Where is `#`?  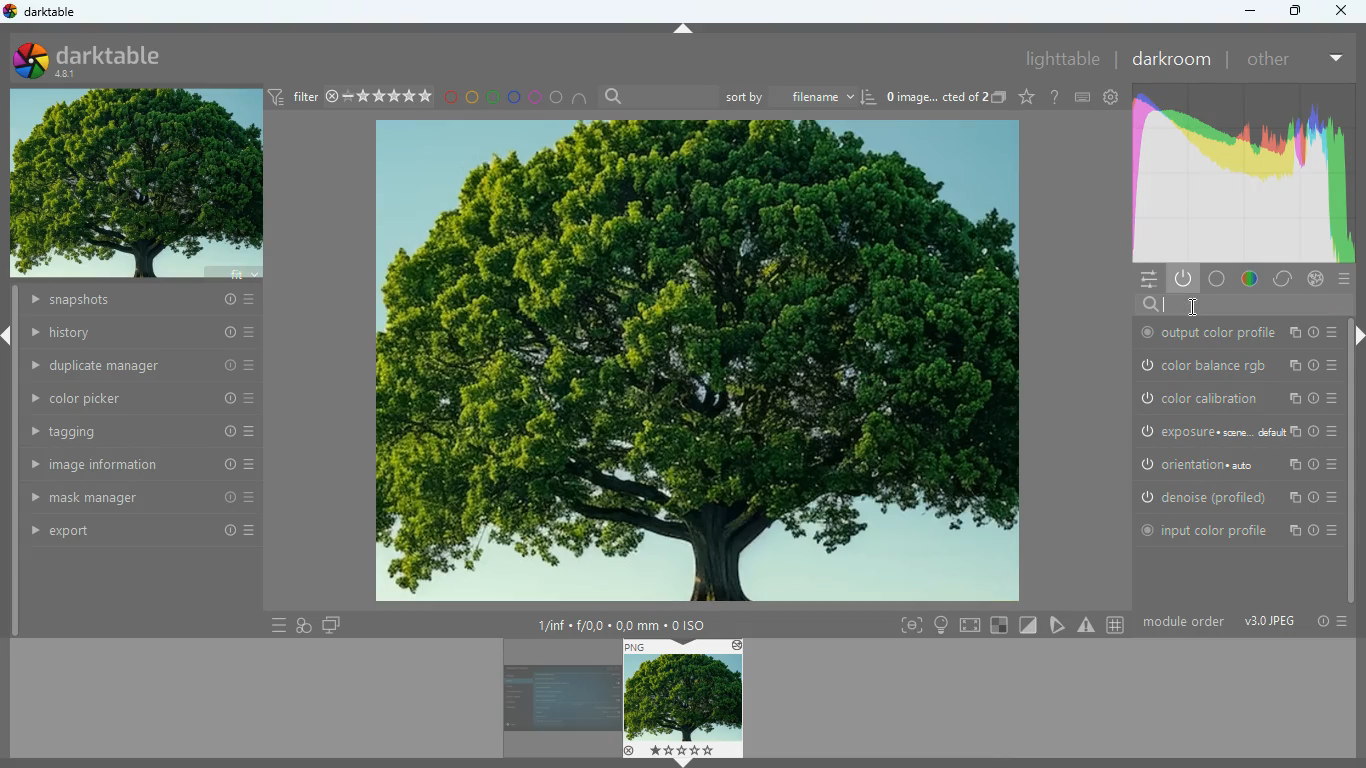
# is located at coordinates (1113, 625).